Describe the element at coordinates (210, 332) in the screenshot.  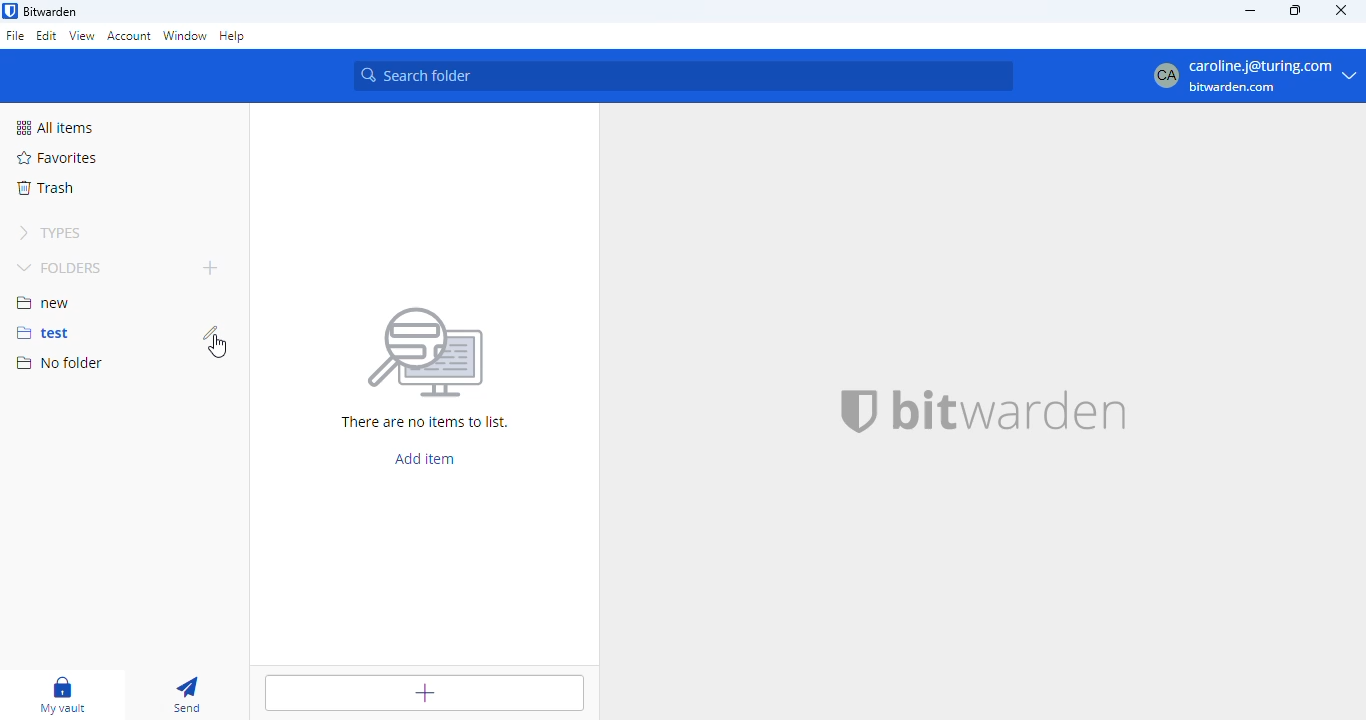
I see `edit` at that location.